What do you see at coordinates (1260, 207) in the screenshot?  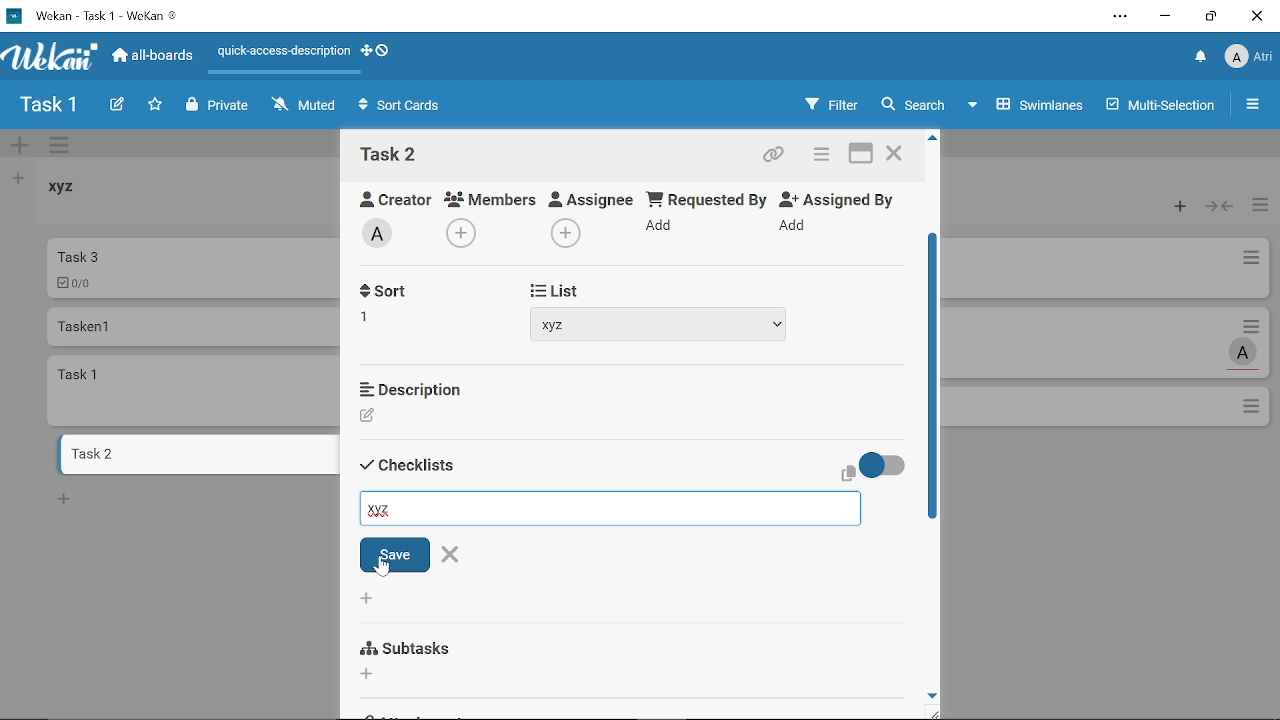 I see `Manage card actions` at bounding box center [1260, 207].